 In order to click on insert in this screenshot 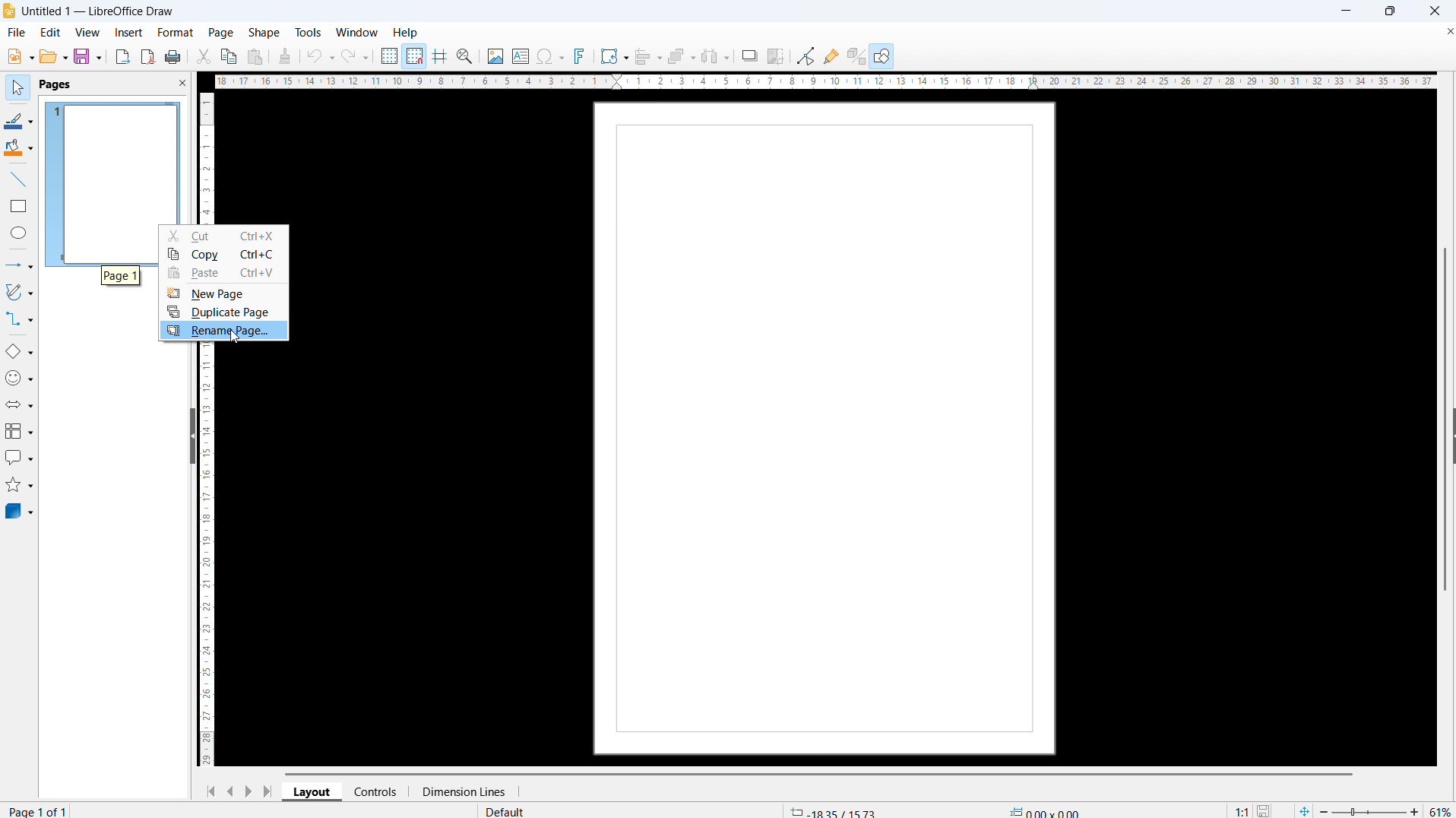, I will do `click(128, 33)`.